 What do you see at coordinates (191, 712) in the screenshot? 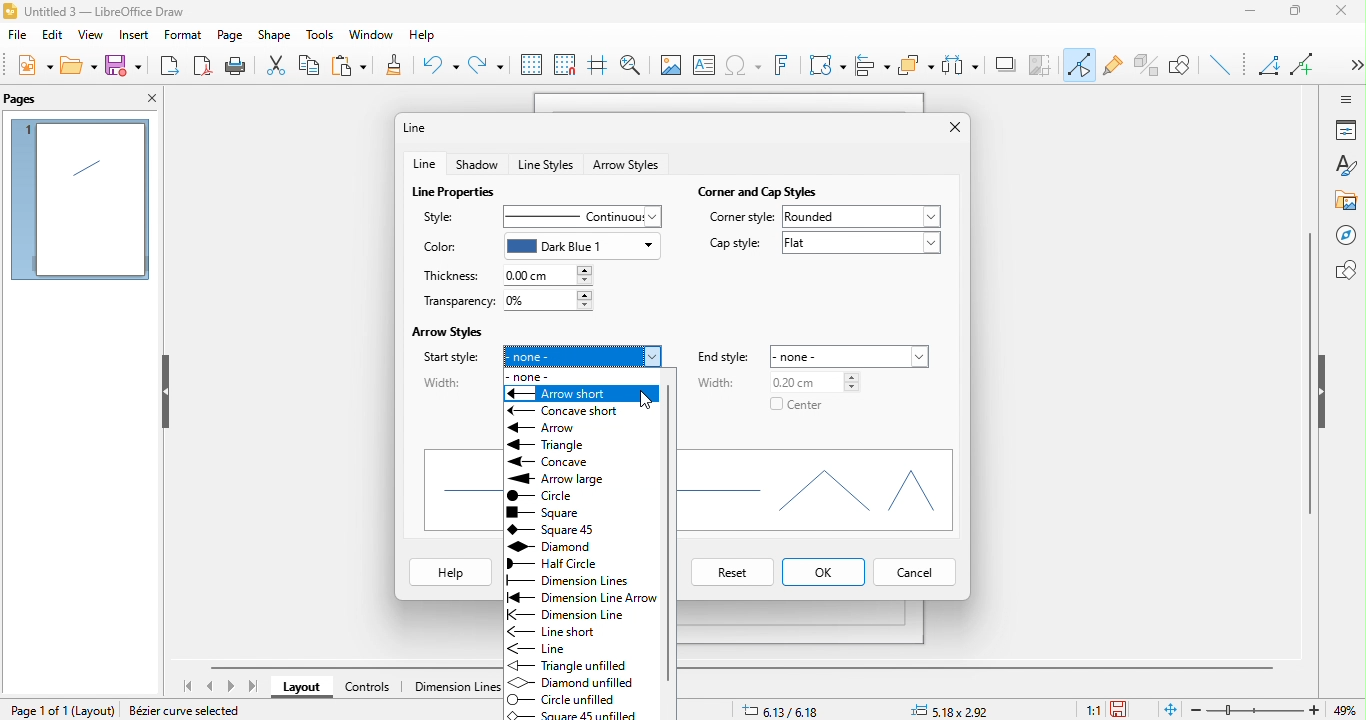
I see `Bezier curve selected` at bounding box center [191, 712].